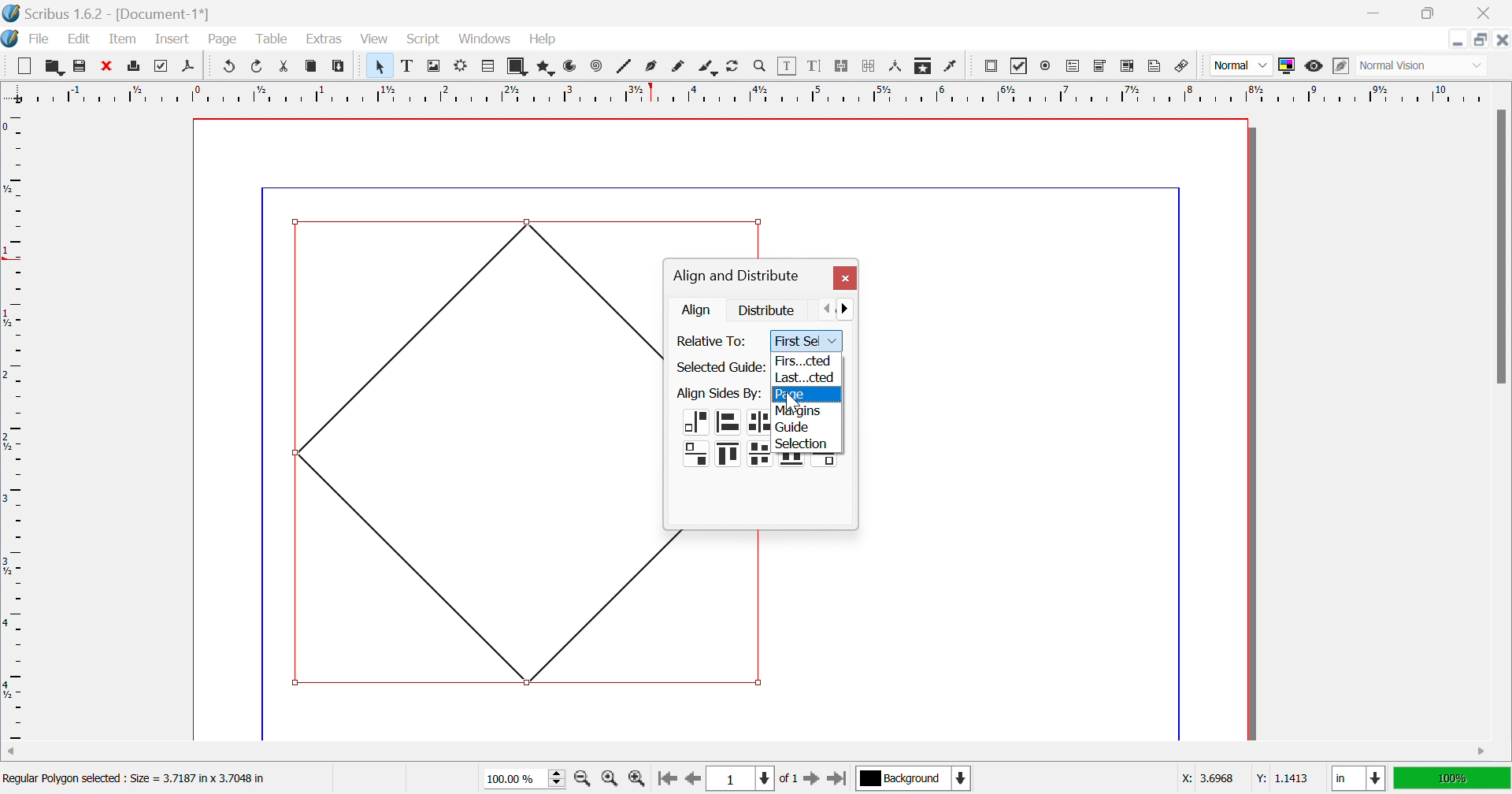  I want to click on Save, so click(76, 64).